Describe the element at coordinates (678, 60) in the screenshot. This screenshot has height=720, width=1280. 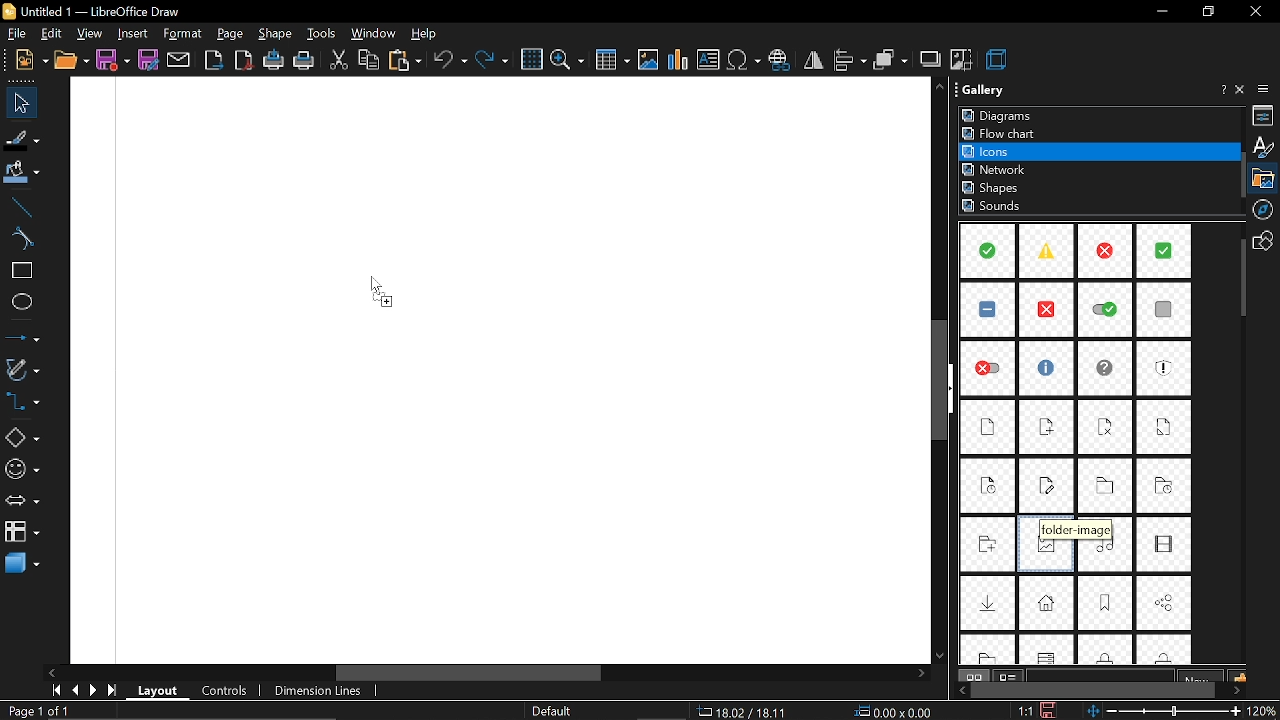
I see `insert chart` at that location.